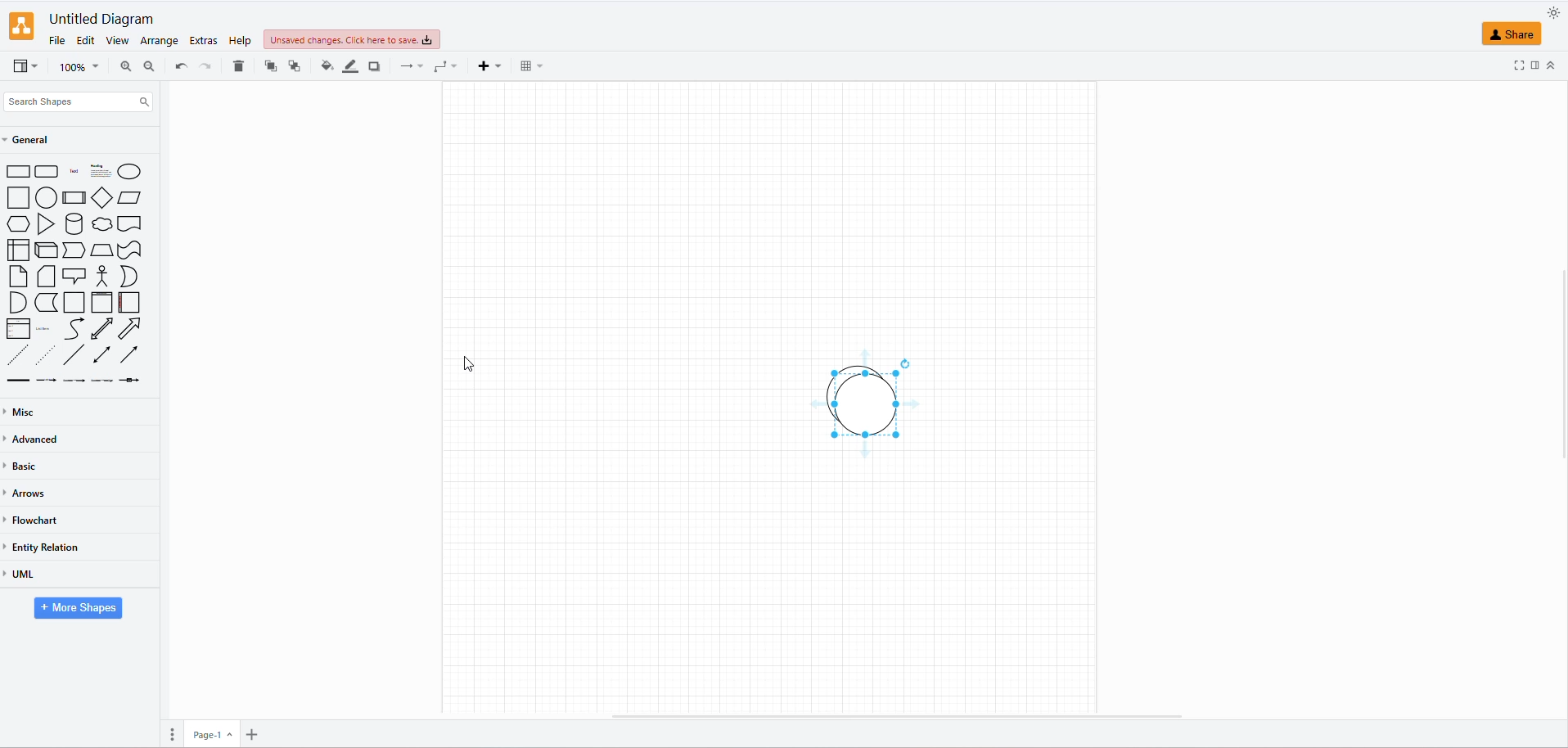  I want to click on shape, so click(88, 169).